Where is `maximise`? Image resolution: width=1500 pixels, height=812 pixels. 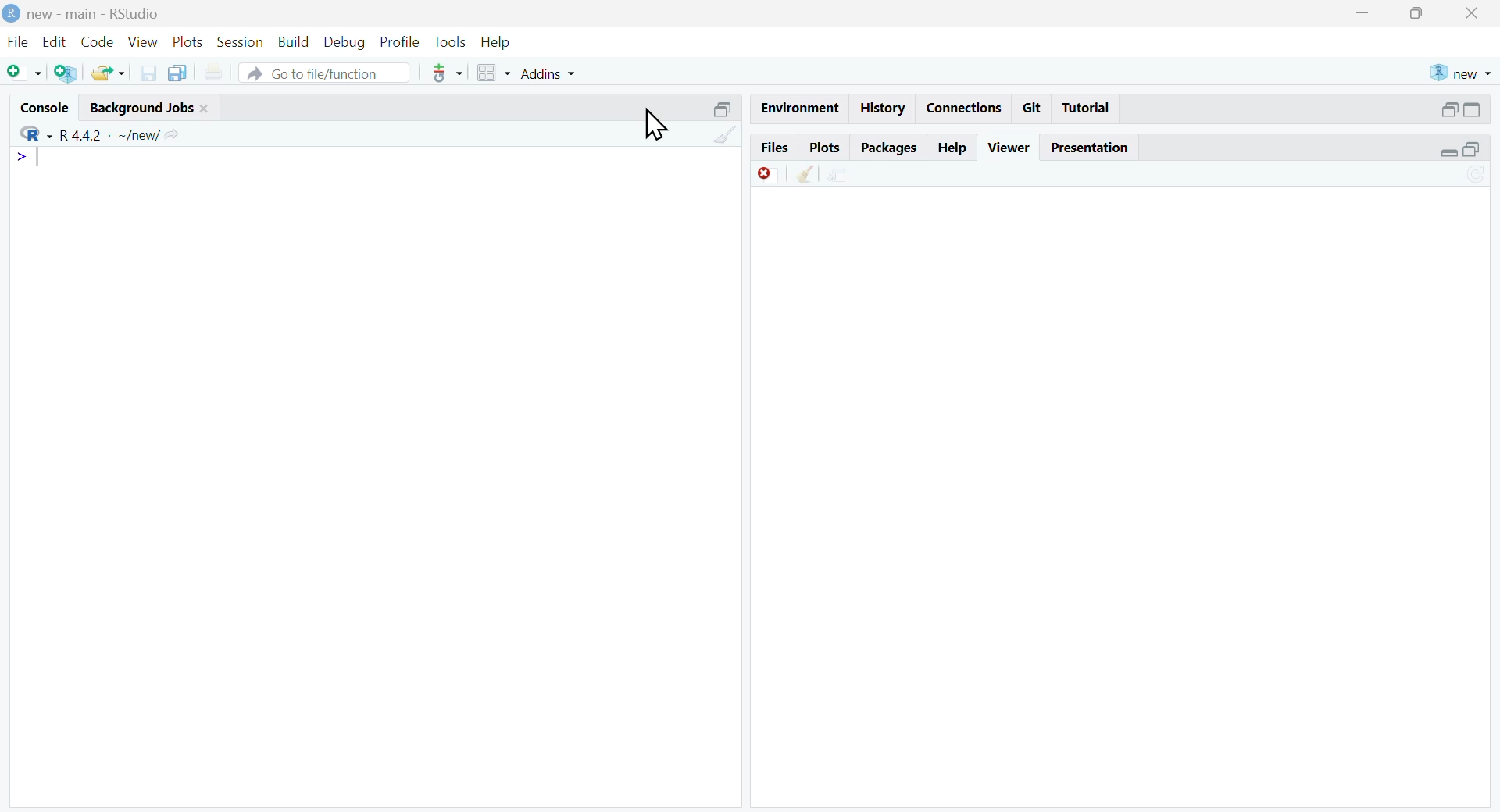 maximise is located at coordinates (1417, 13).